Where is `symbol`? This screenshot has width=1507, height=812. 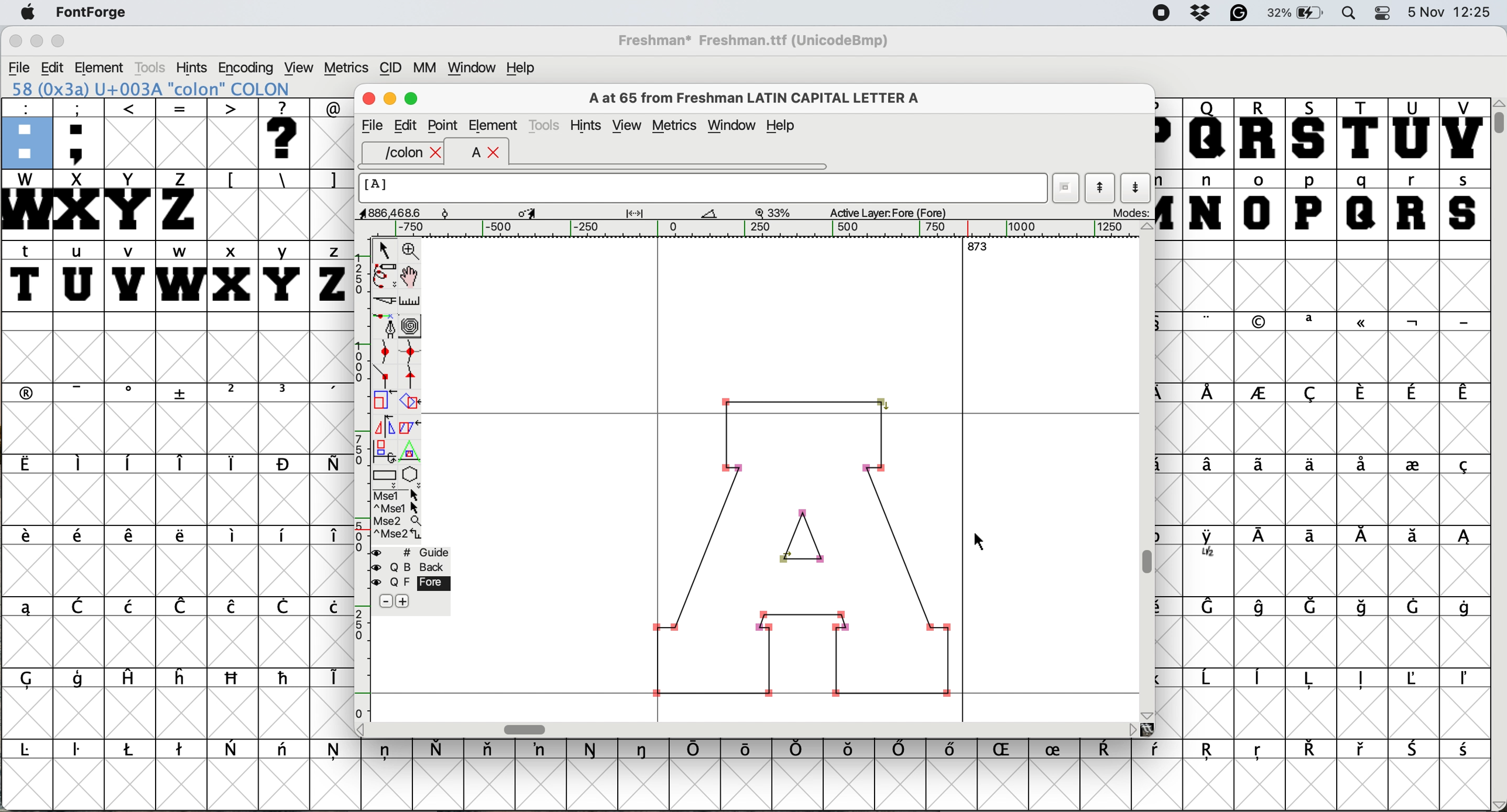
symbol is located at coordinates (593, 749).